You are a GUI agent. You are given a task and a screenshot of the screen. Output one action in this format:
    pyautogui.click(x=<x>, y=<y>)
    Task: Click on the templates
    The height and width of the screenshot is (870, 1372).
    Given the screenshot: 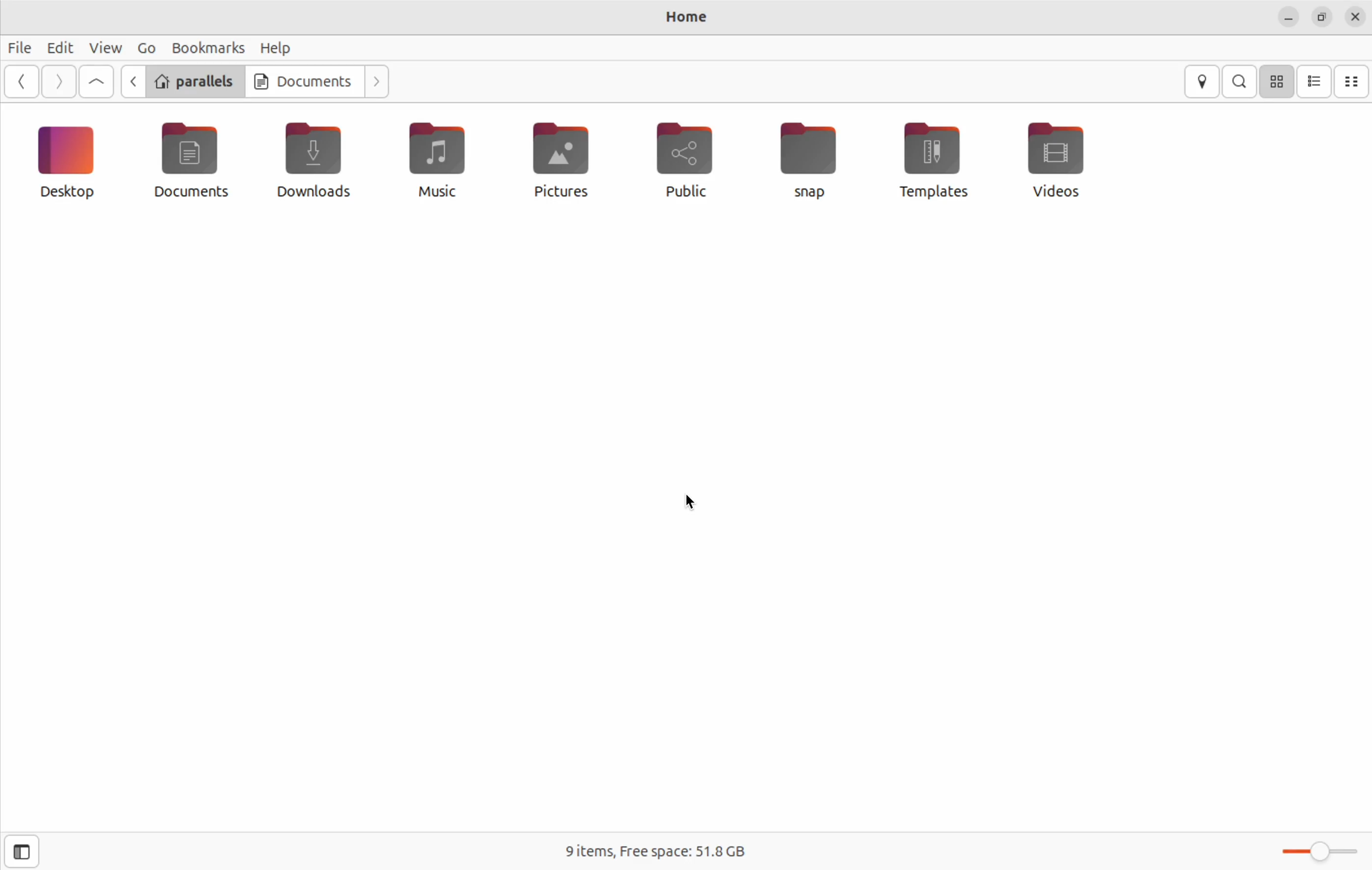 What is the action you would take?
    pyautogui.click(x=934, y=160)
    